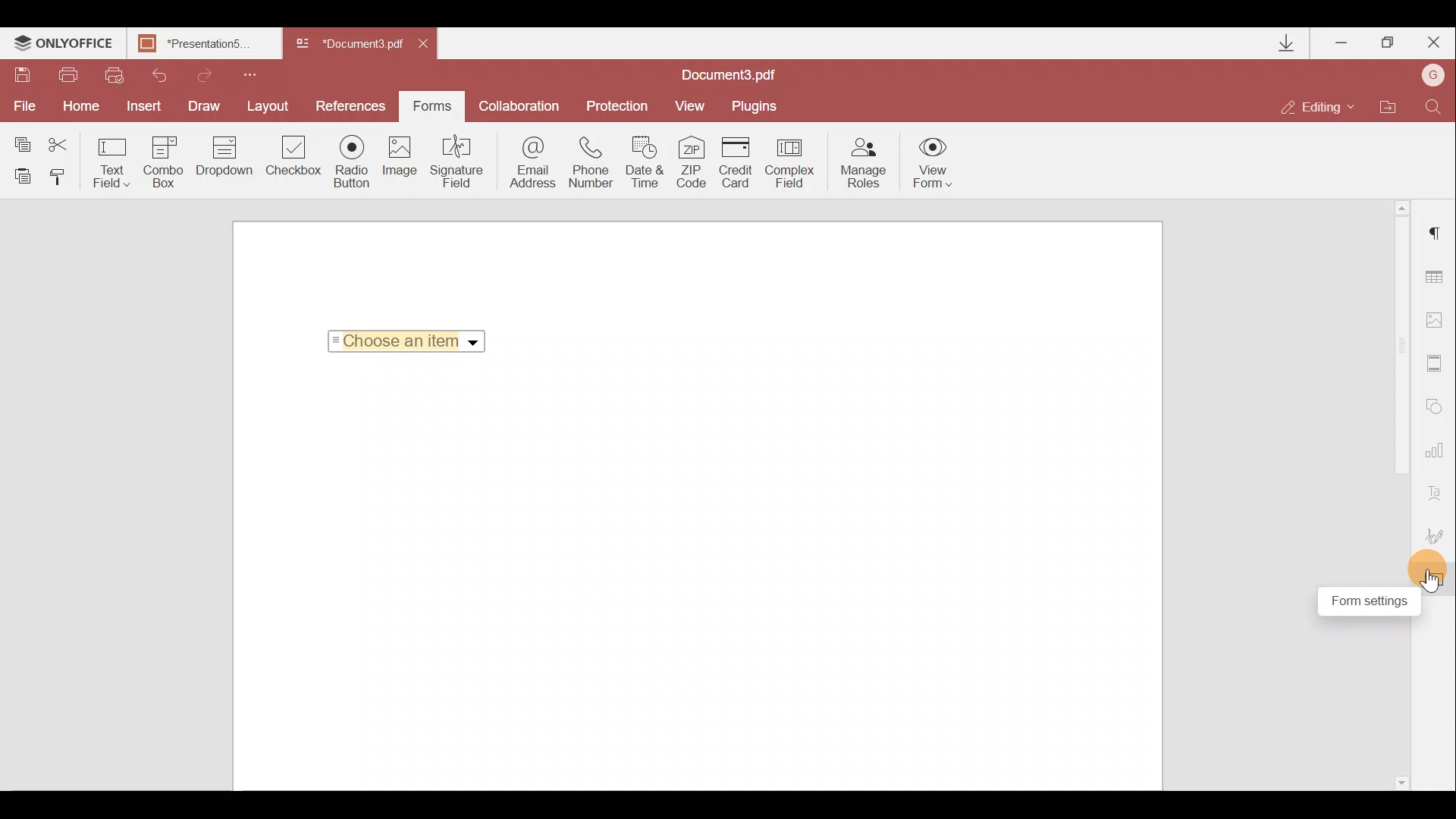 The height and width of the screenshot is (819, 1456). I want to click on Undo, so click(153, 73).